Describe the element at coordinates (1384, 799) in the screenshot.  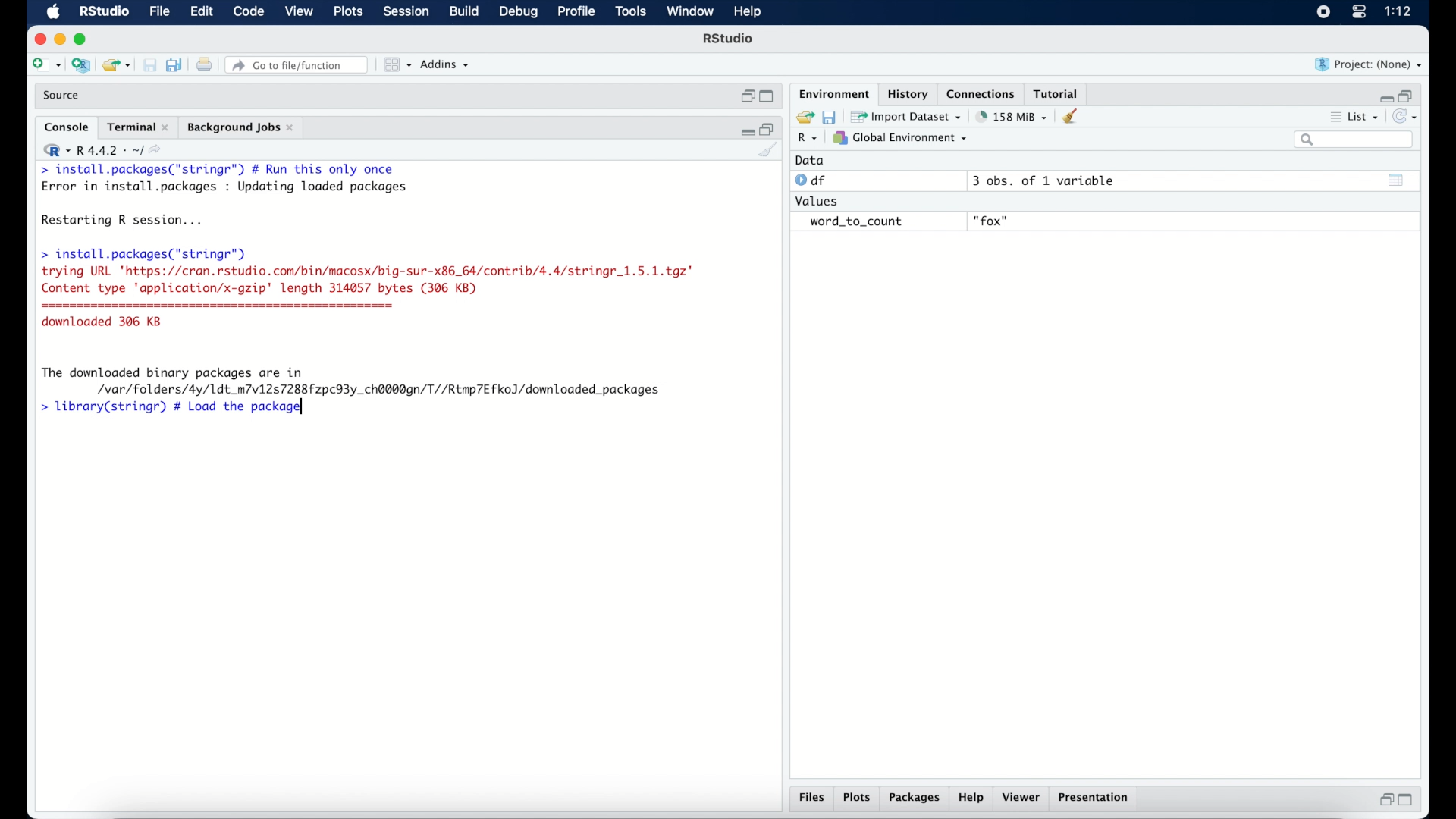
I see `restore down` at that location.